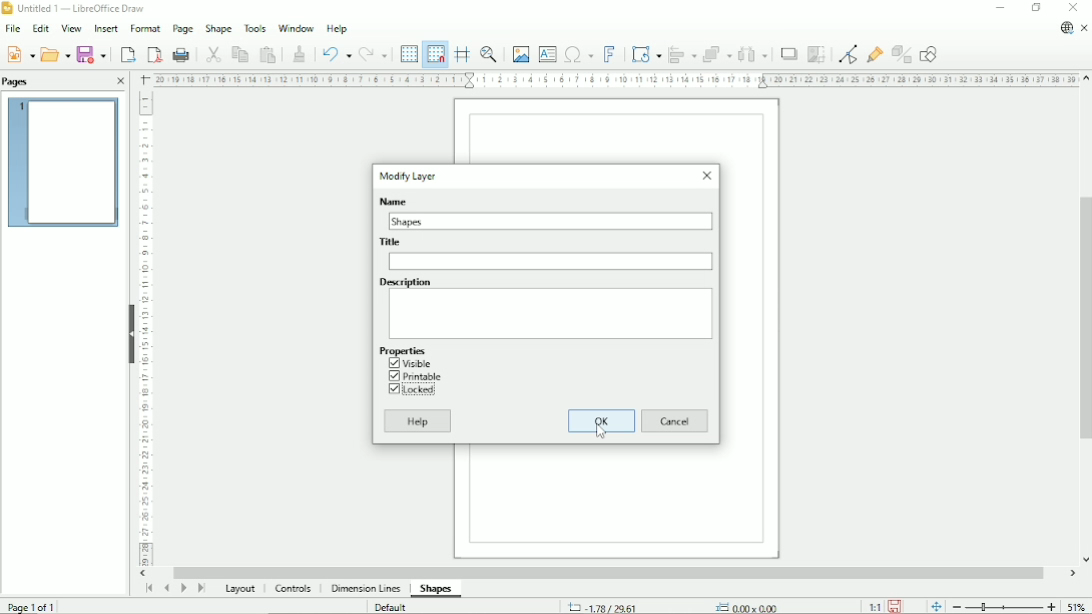 This screenshot has width=1092, height=614. I want to click on Copy, so click(238, 54).